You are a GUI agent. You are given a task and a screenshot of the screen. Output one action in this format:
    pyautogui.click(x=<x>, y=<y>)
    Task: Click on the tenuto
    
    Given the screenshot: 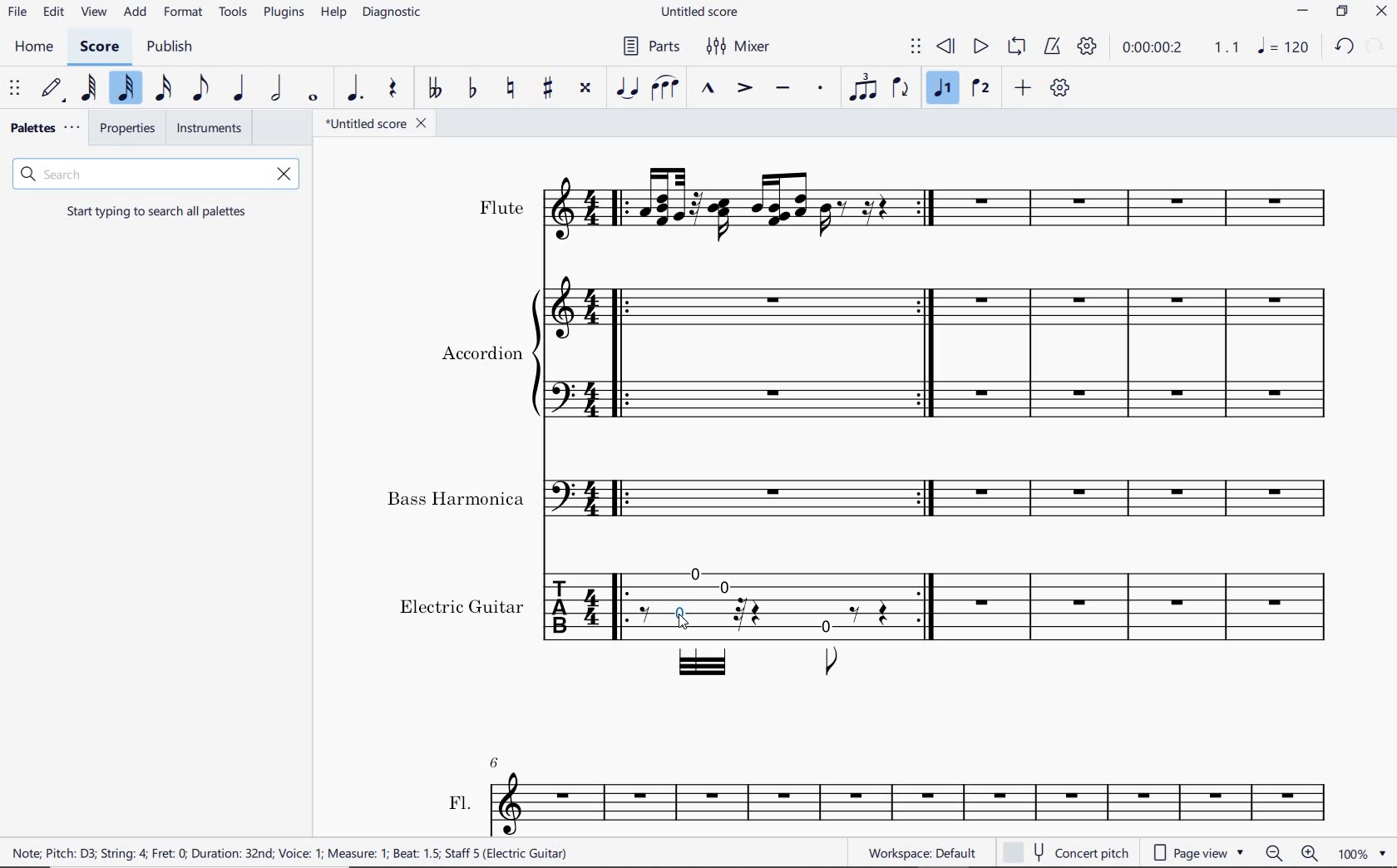 What is the action you would take?
    pyautogui.click(x=784, y=89)
    